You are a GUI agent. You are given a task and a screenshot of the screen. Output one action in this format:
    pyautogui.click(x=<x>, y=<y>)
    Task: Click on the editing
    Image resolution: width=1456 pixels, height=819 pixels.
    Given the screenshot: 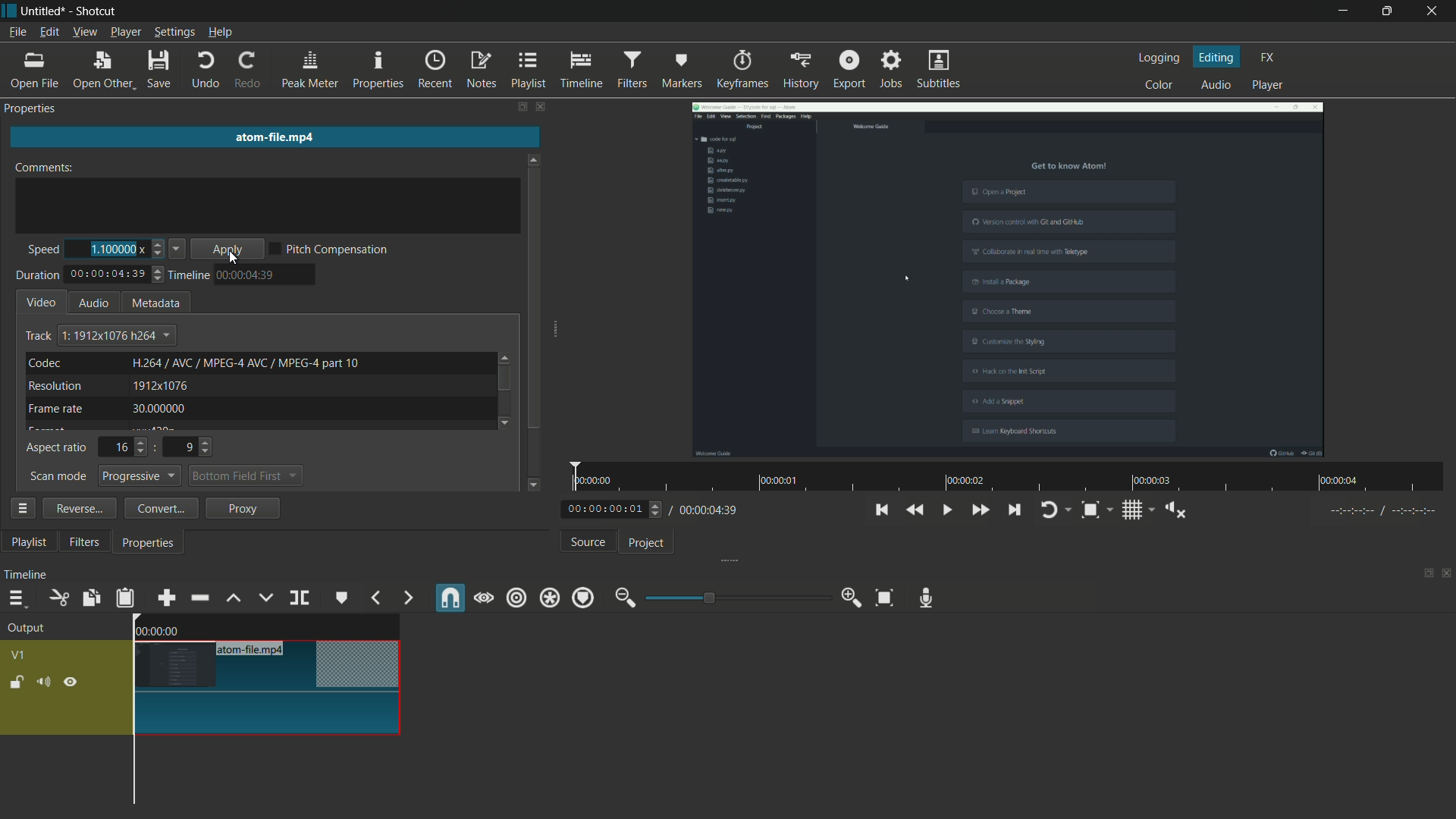 What is the action you would take?
    pyautogui.click(x=1216, y=57)
    